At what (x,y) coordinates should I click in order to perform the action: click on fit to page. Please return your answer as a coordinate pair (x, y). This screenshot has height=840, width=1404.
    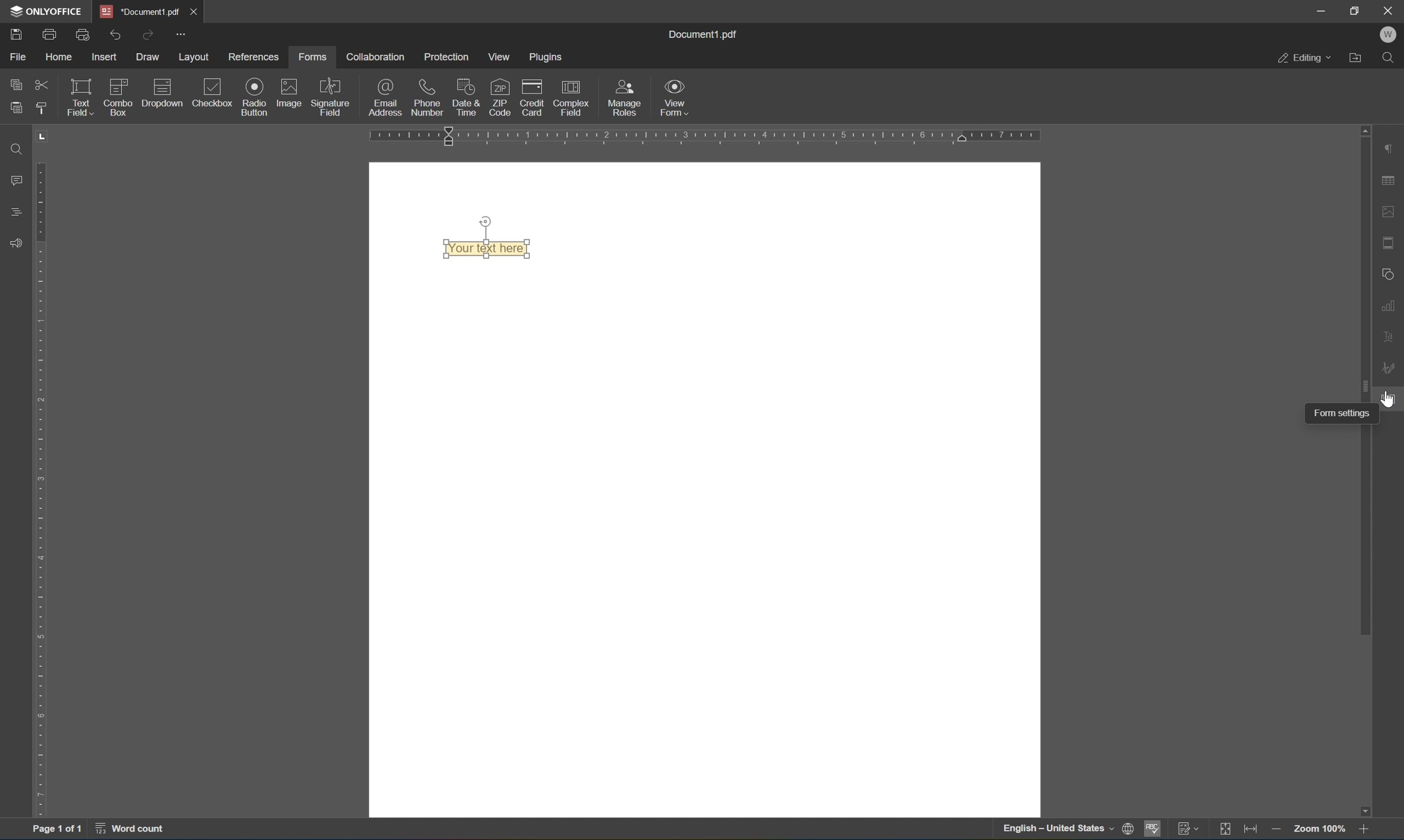
    Looking at the image, I should click on (1225, 829).